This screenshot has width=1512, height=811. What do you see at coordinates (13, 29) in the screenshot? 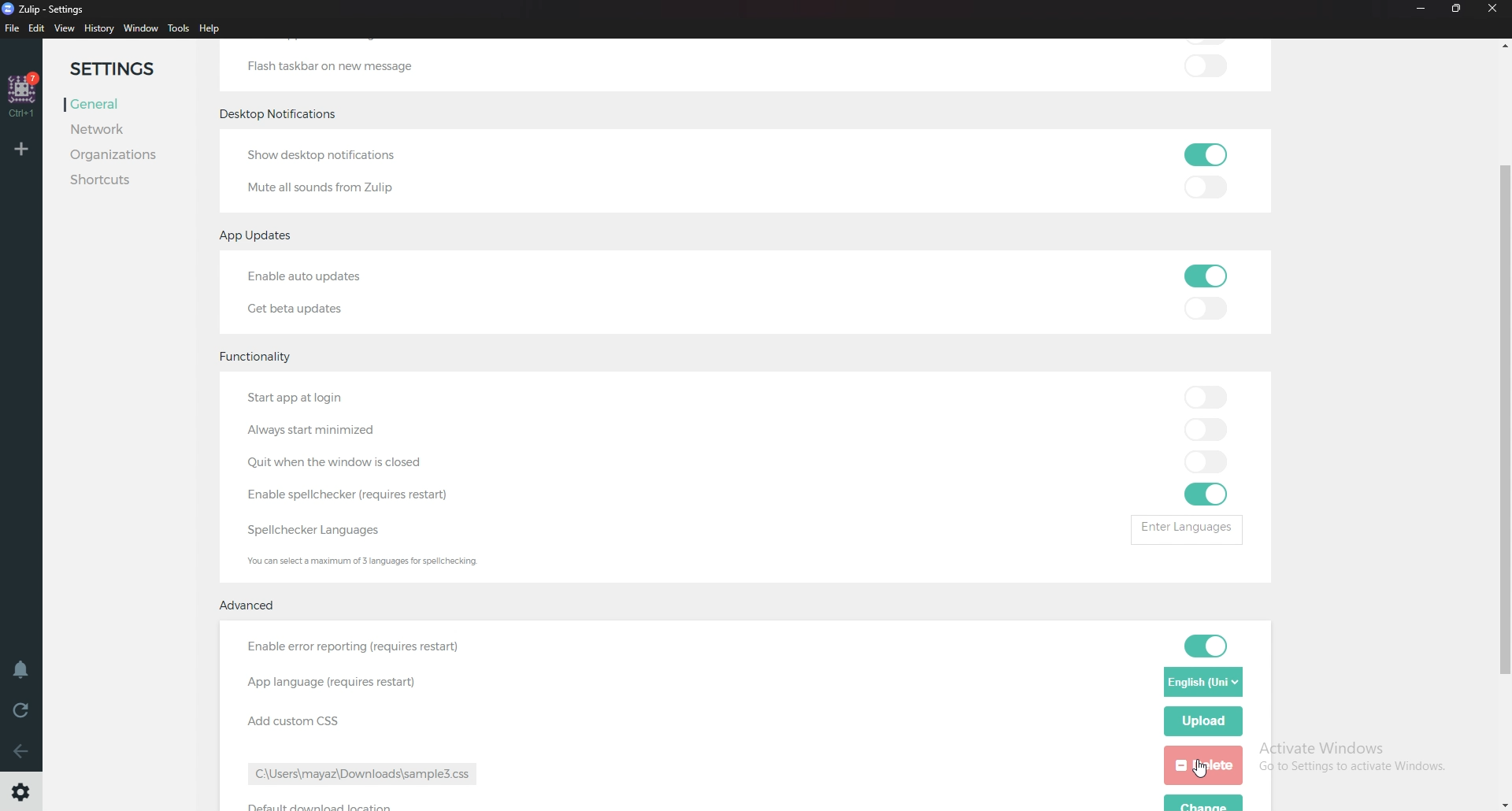
I see `File` at bounding box center [13, 29].